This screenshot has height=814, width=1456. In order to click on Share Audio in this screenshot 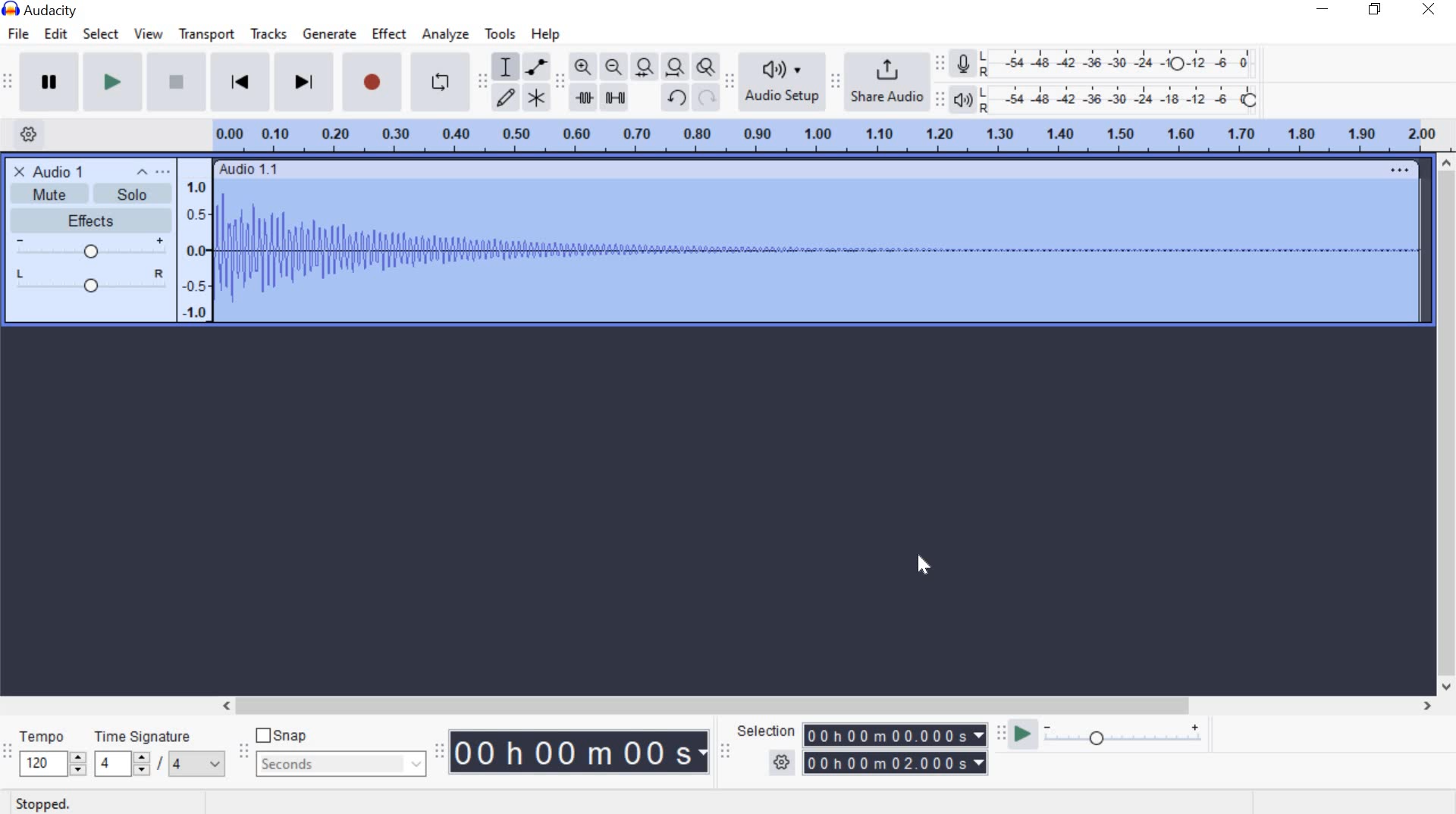, I will do `click(884, 79)`.